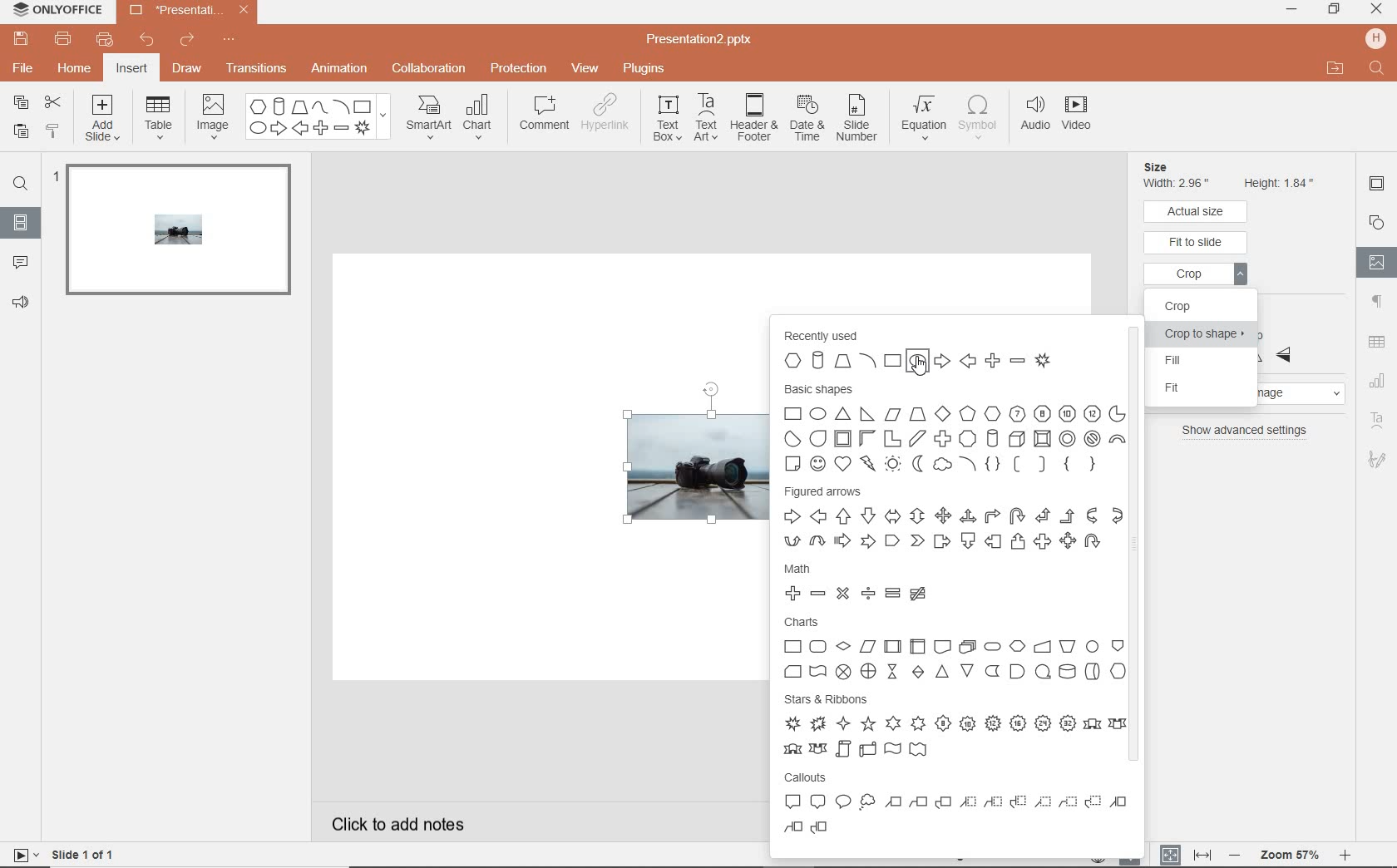 This screenshot has width=1397, height=868. Describe the element at coordinates (1376, 341) in the screenshot. I see `table settings` at that location.